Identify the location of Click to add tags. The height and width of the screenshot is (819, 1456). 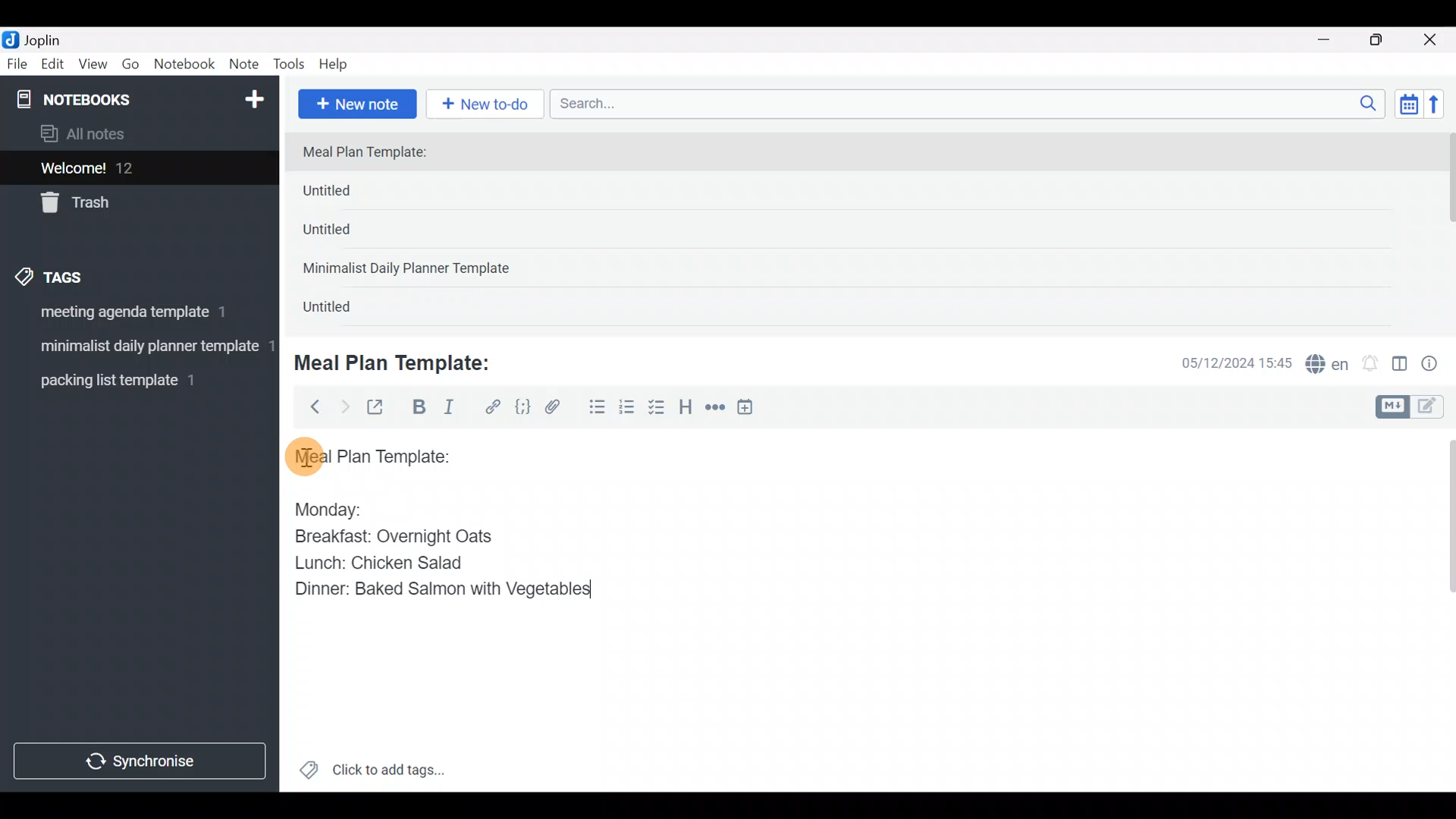
(372, 775).